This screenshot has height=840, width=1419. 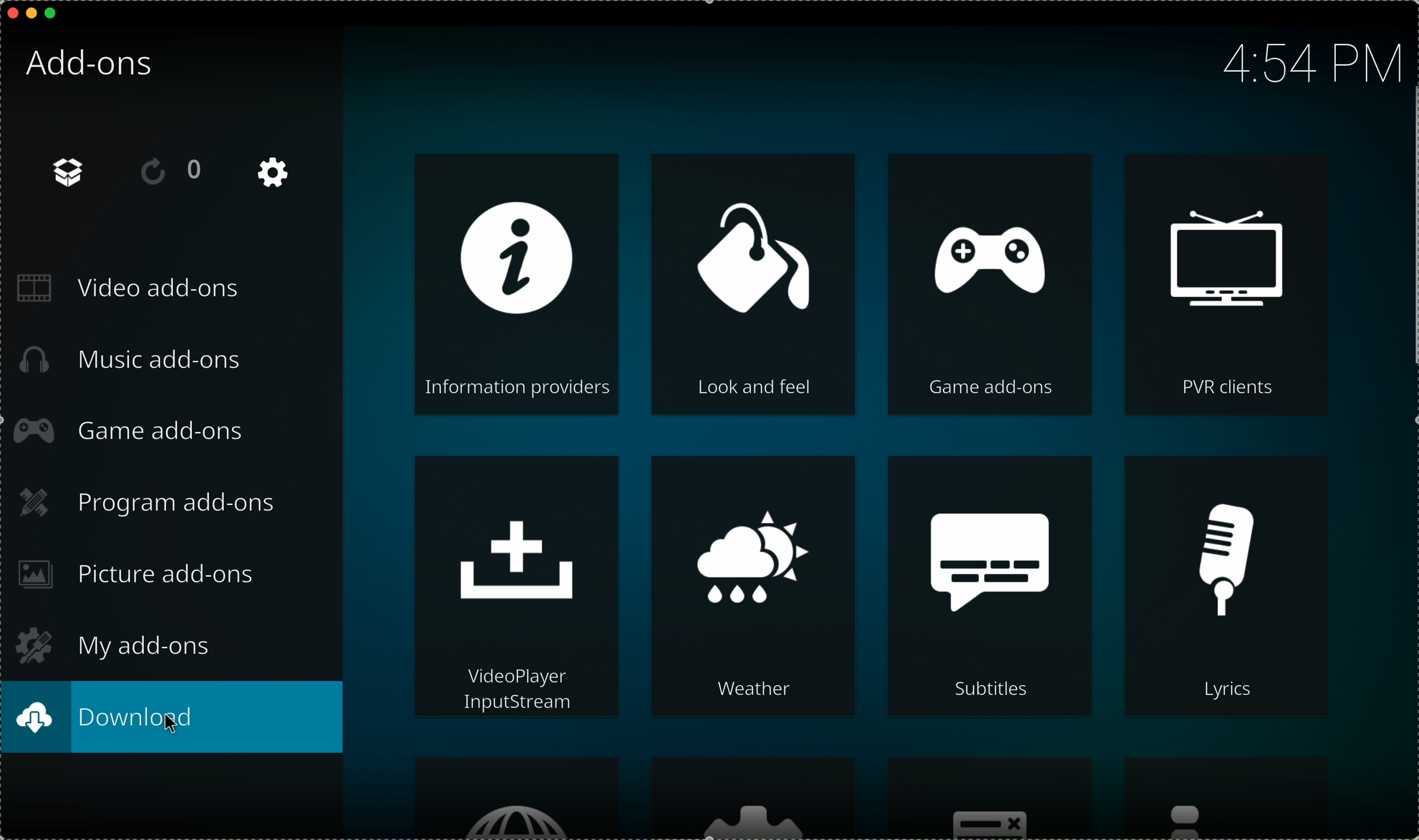 I want to click on add ons, so click(x=72, y=173).